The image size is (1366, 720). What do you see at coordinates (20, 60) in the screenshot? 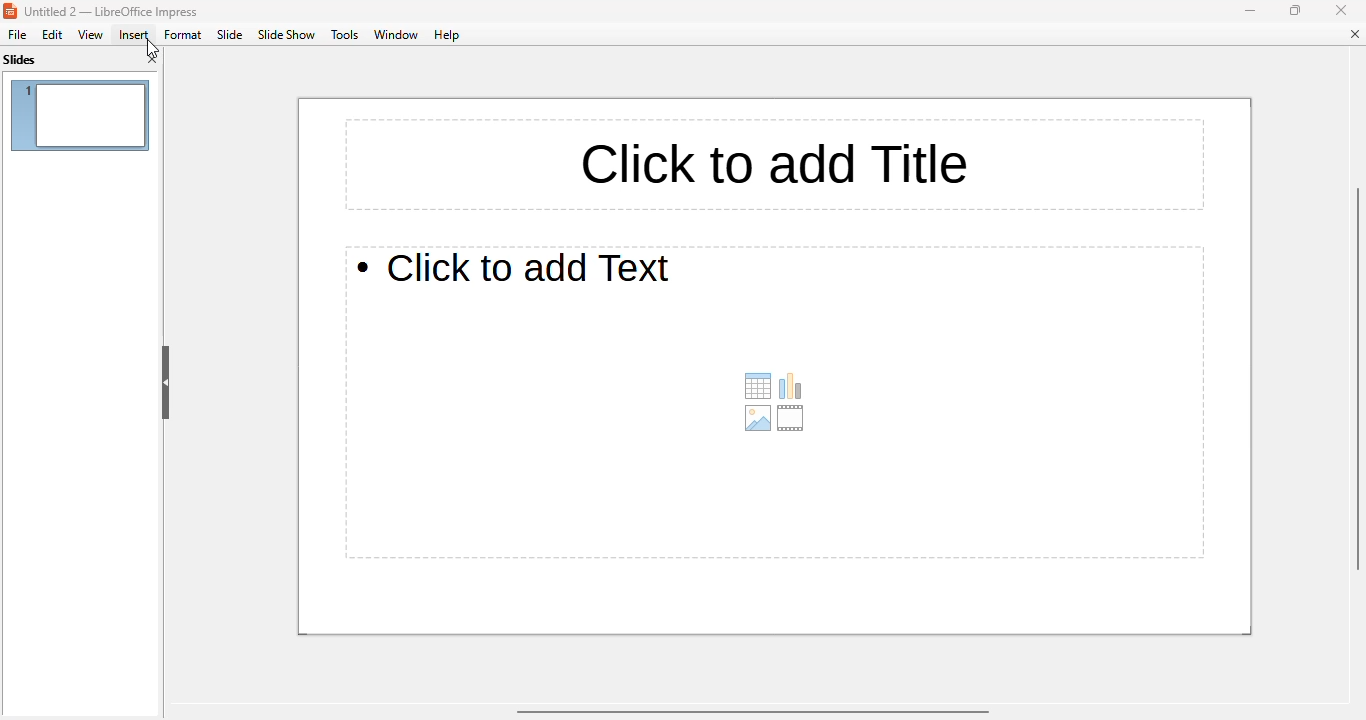
I see `slides` at bounding box center [20, 60].